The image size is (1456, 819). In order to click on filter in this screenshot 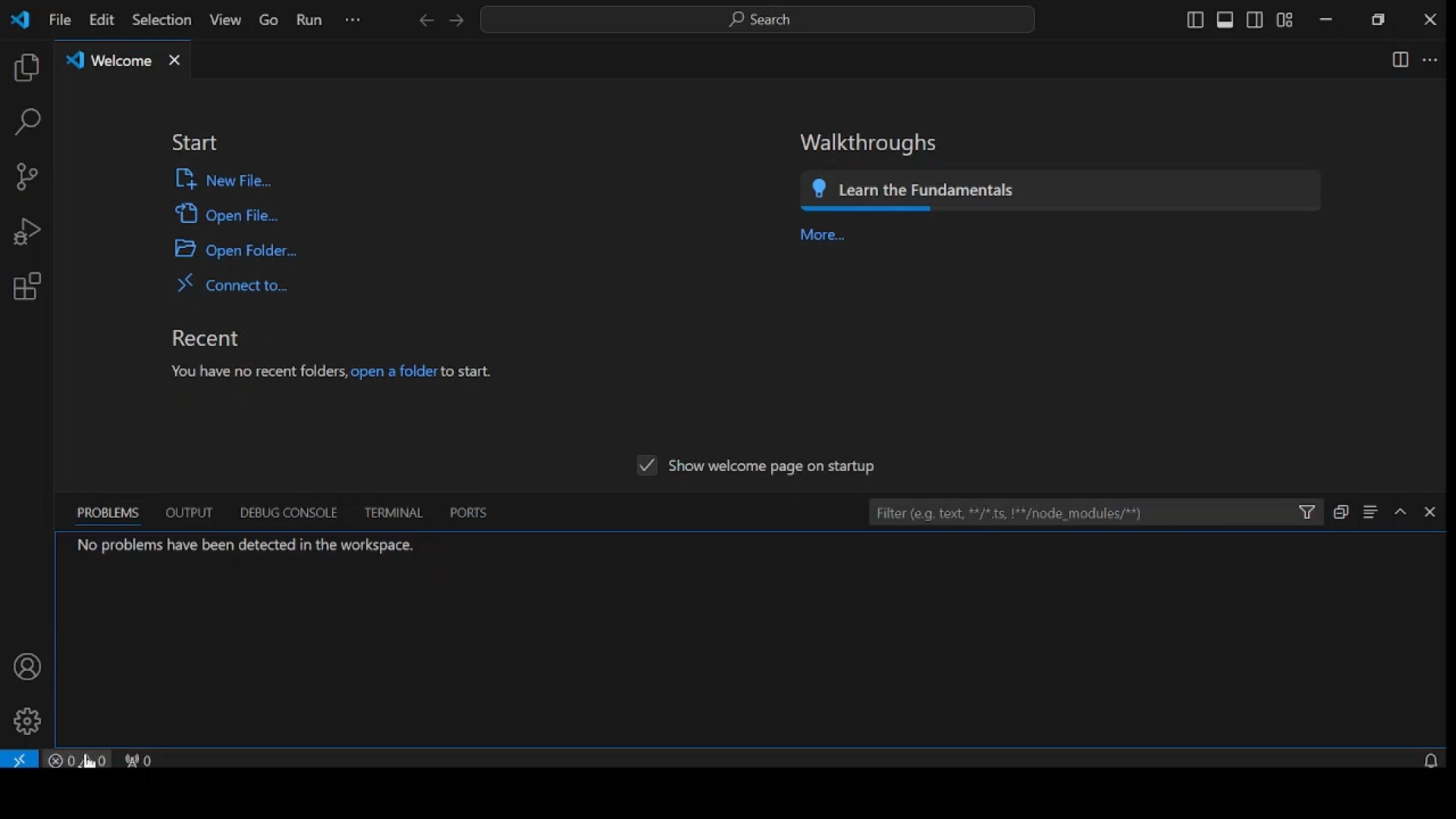, I will do `click(1093, 510)`.